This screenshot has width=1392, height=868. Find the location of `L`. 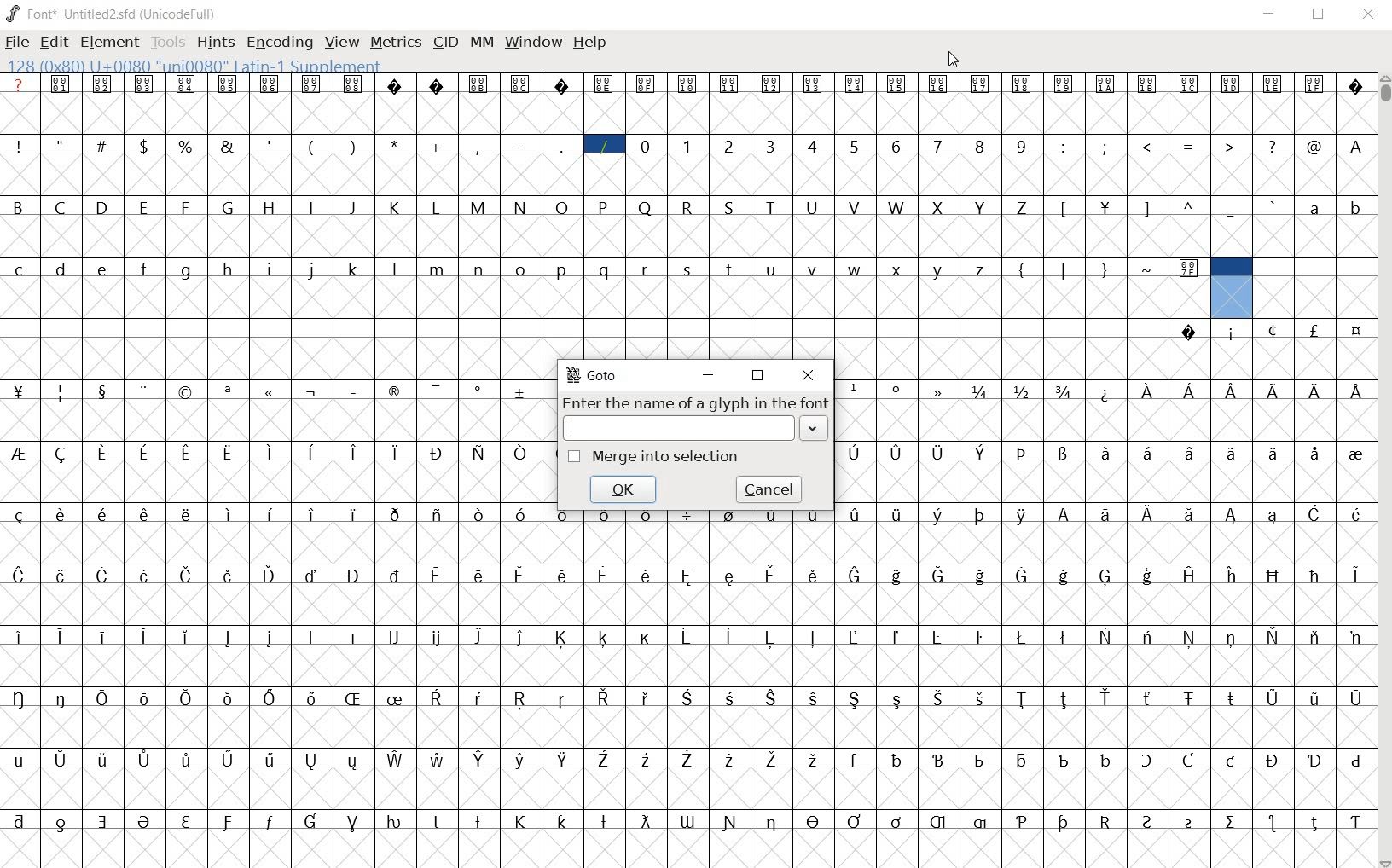

L is located at coordinates (439, 205).